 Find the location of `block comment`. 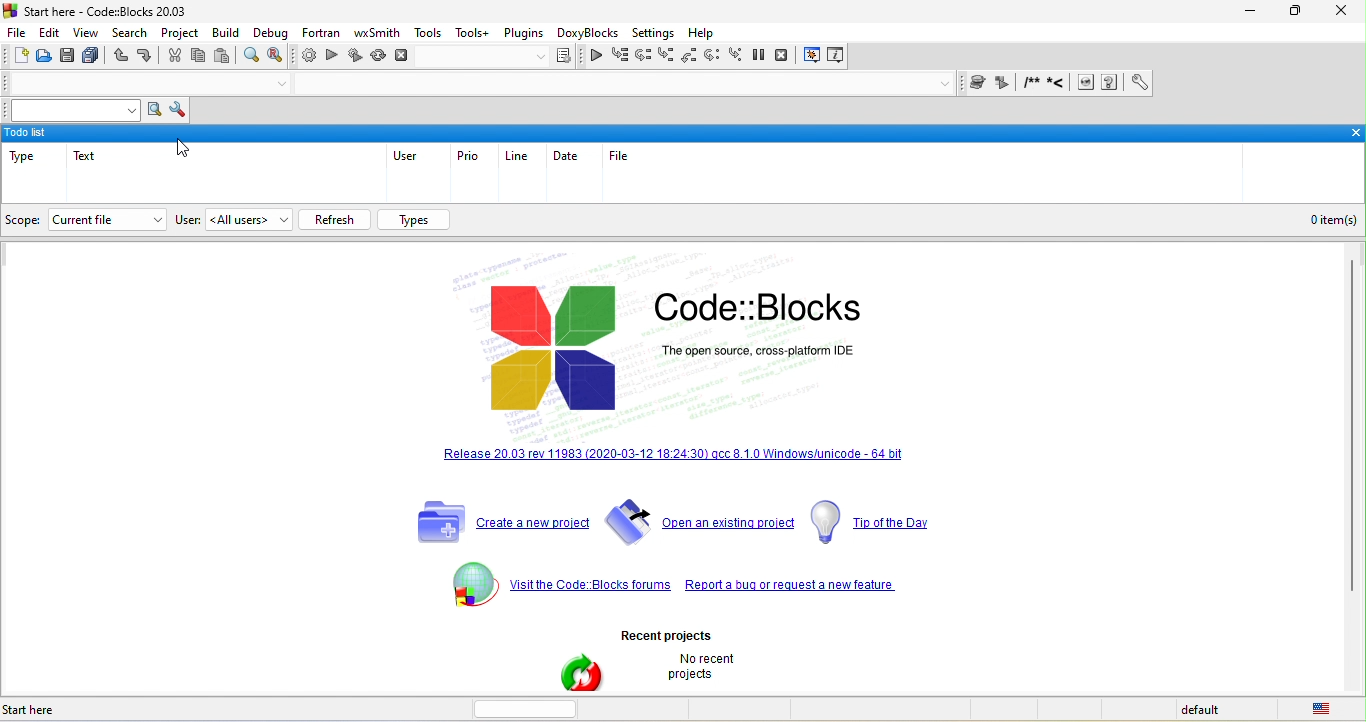

block comment is located at coordinates (1032, 83).